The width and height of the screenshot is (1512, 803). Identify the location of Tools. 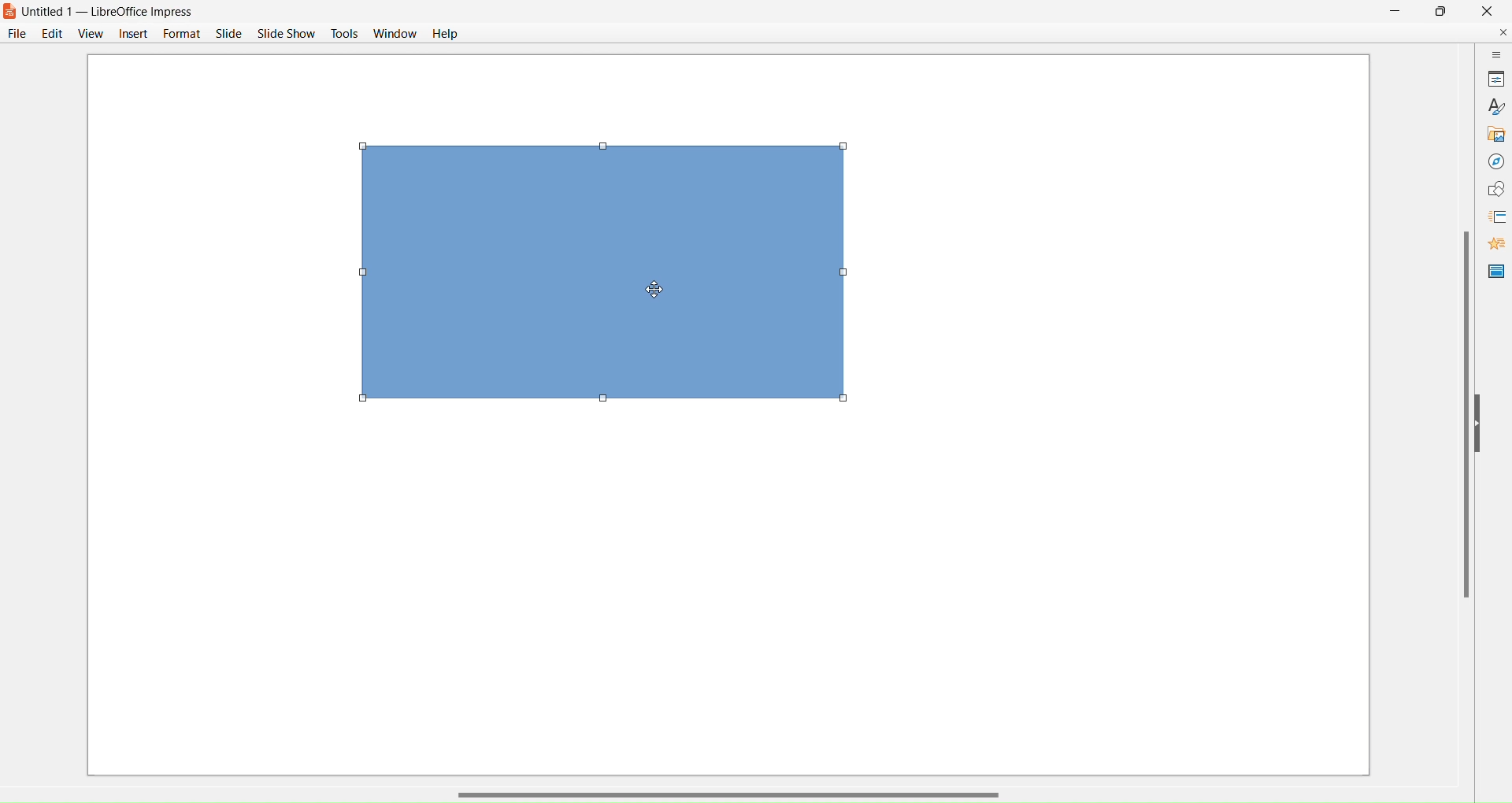
(345, 32).